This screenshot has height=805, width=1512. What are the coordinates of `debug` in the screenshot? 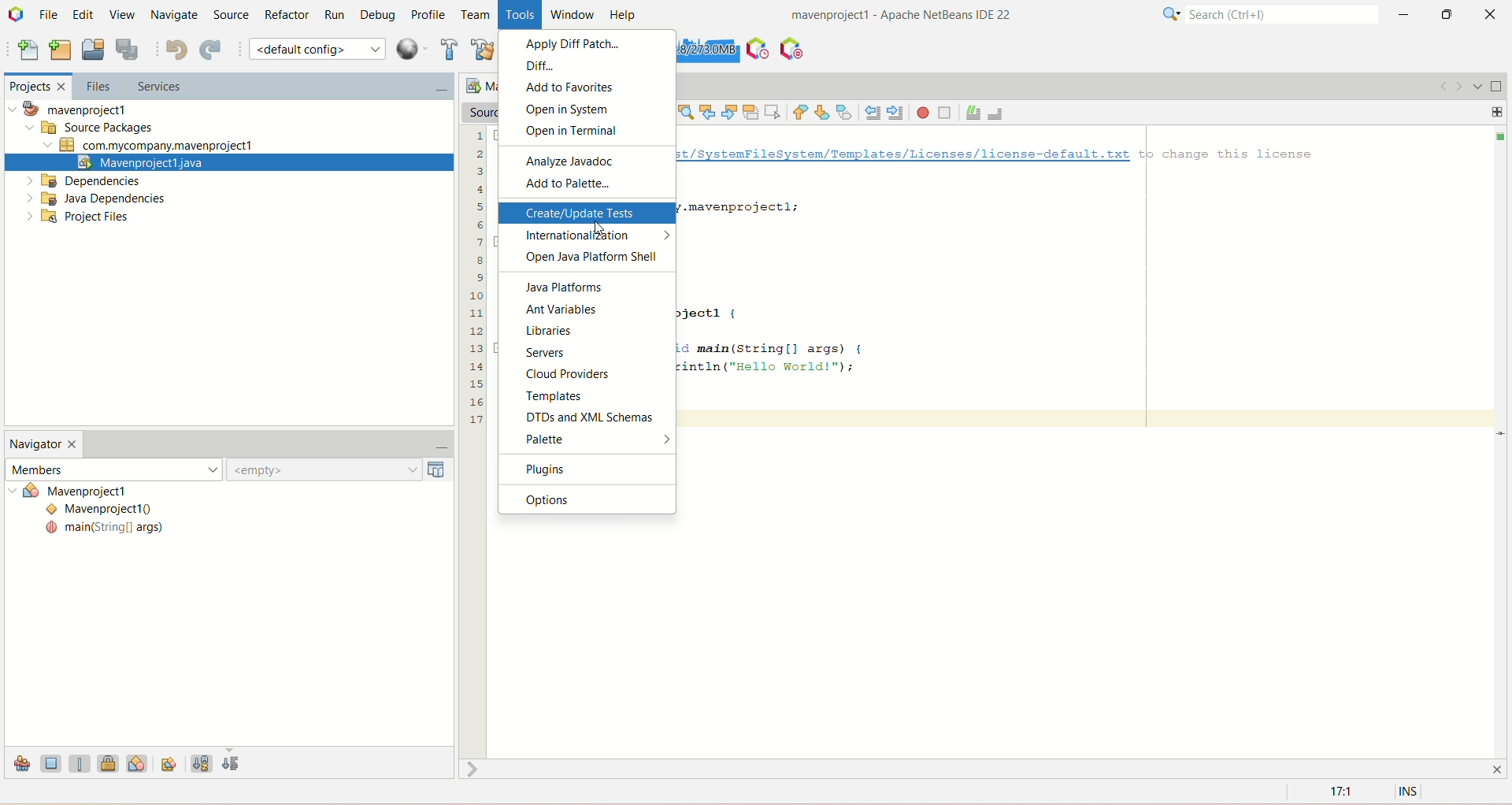 It's located at (382, 17).